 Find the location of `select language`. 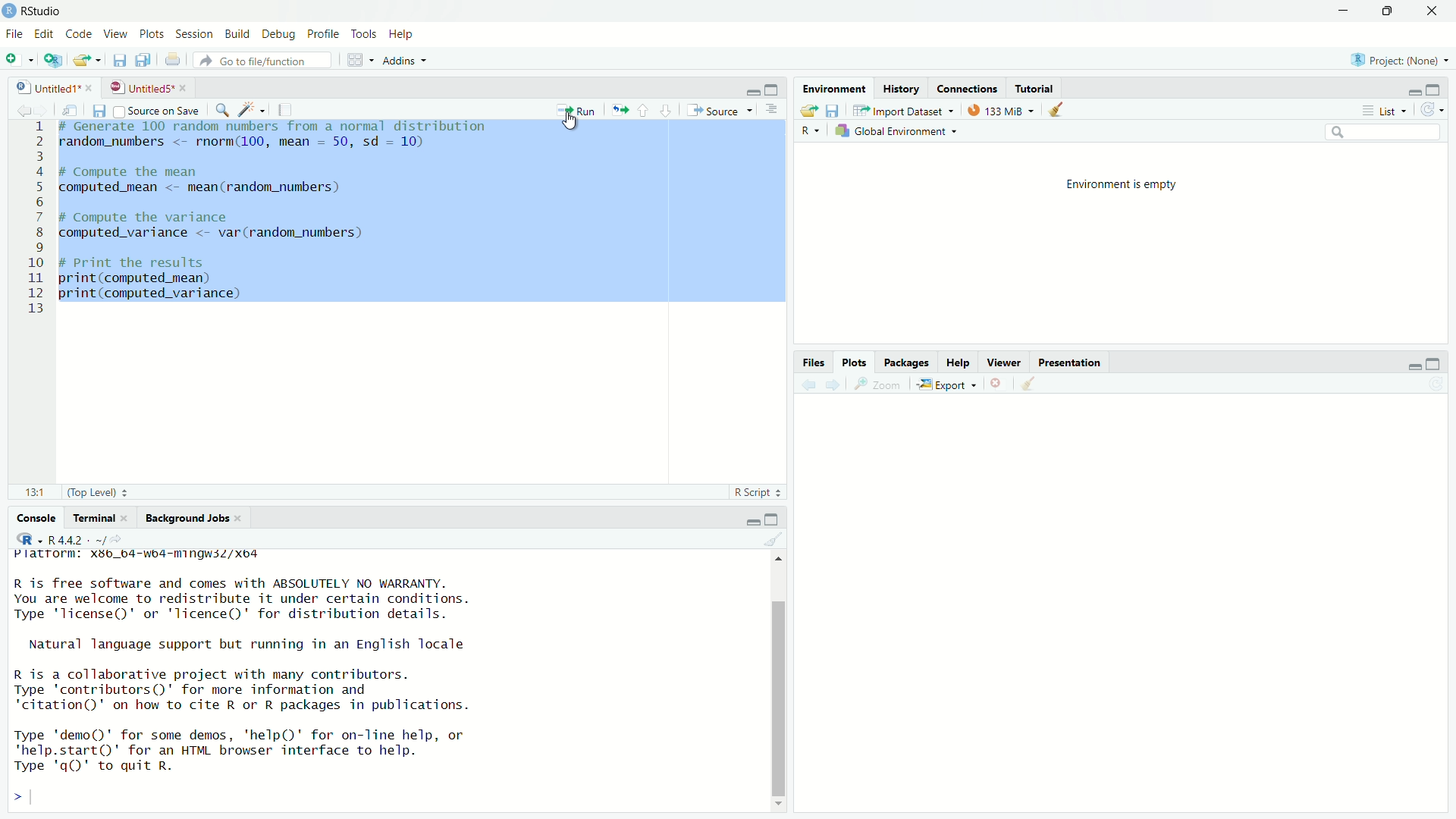

select language is located at coordinates (808, 132).